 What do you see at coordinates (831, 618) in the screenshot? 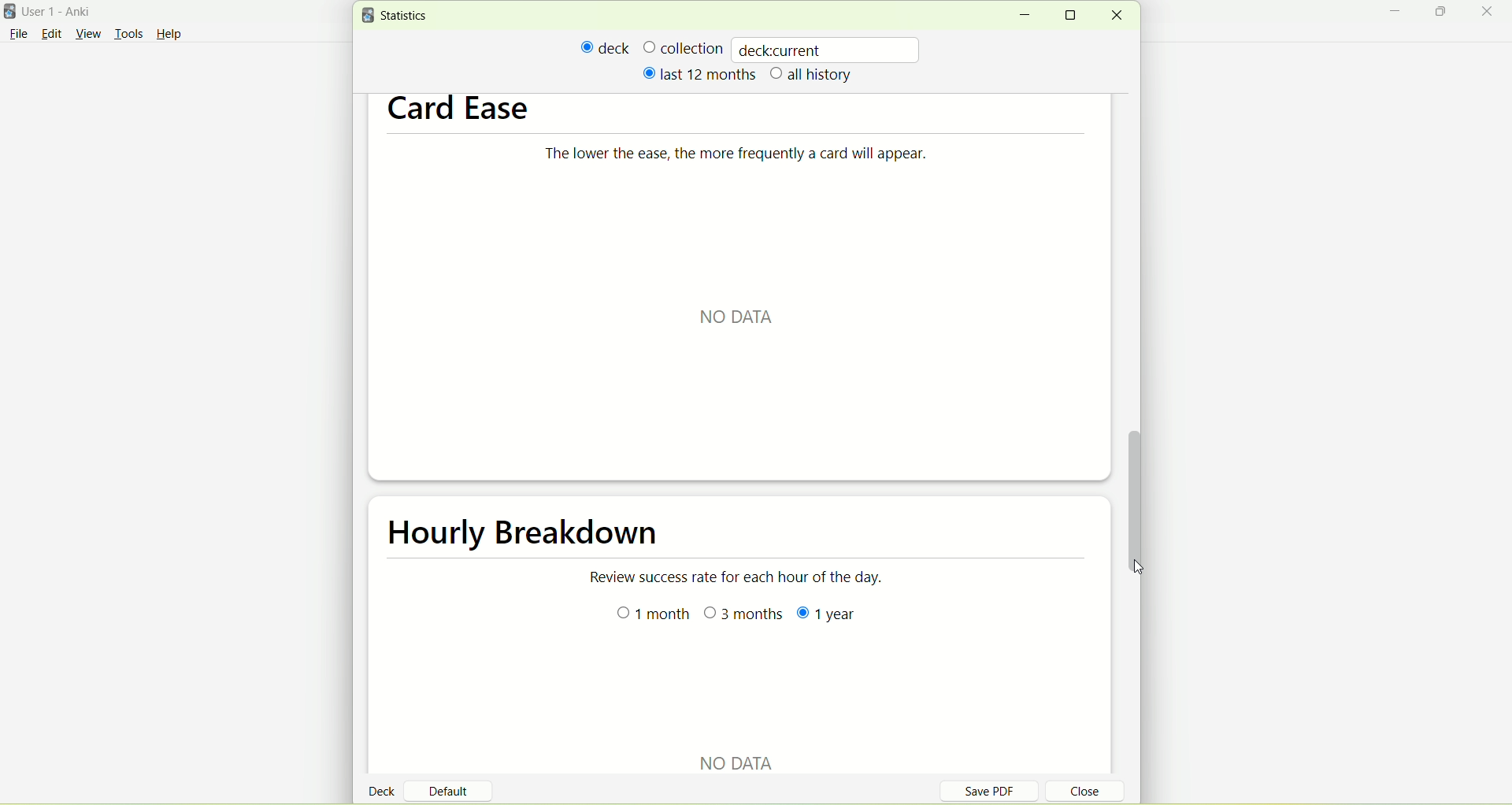
I see ` year` at bounding box center [831, 618].